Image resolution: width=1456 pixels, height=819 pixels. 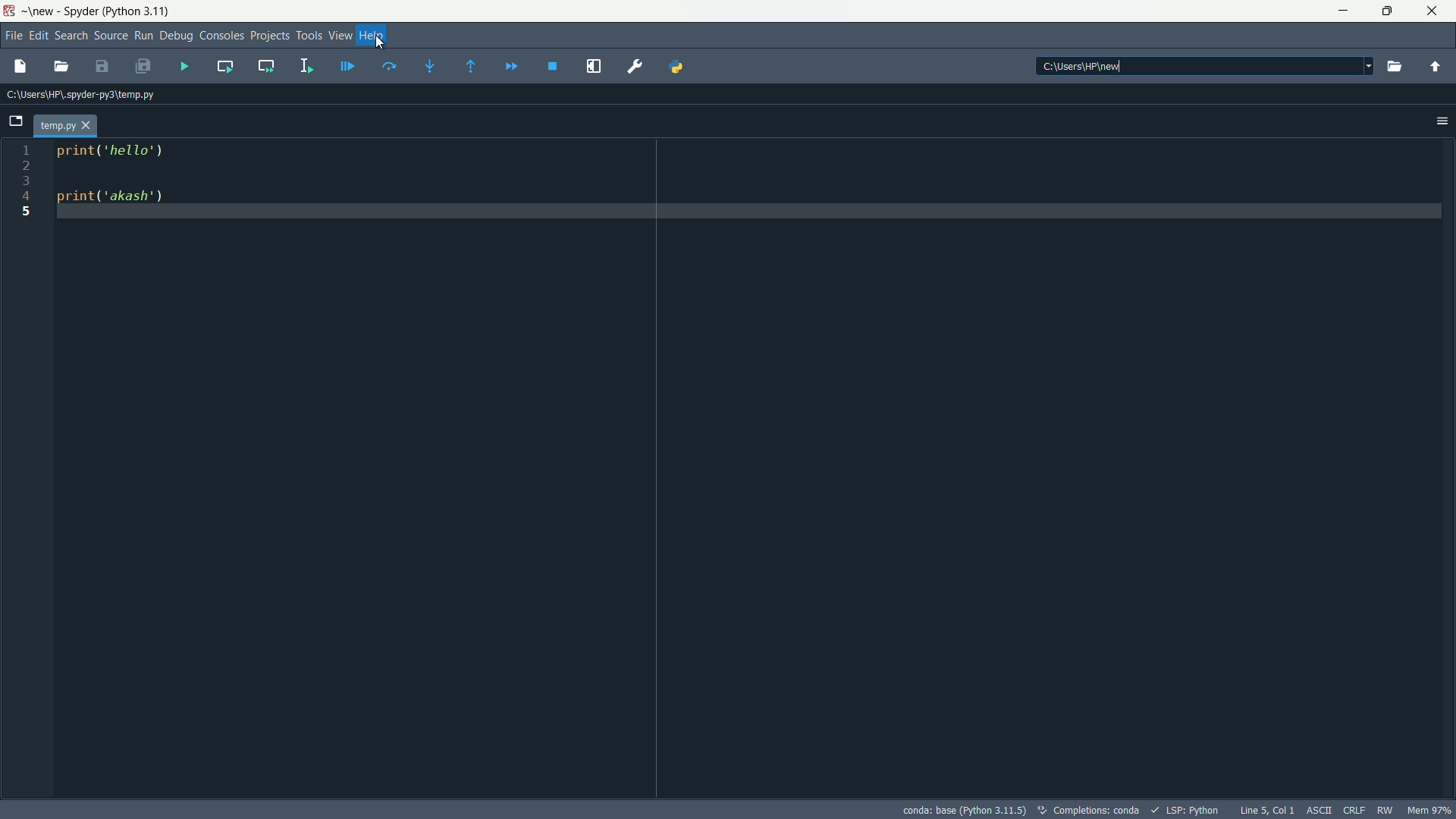 What do you see at coordinates (1394, 66) in the screenshot?
I see `browse a working directory` at bounding box center [1394, 66].